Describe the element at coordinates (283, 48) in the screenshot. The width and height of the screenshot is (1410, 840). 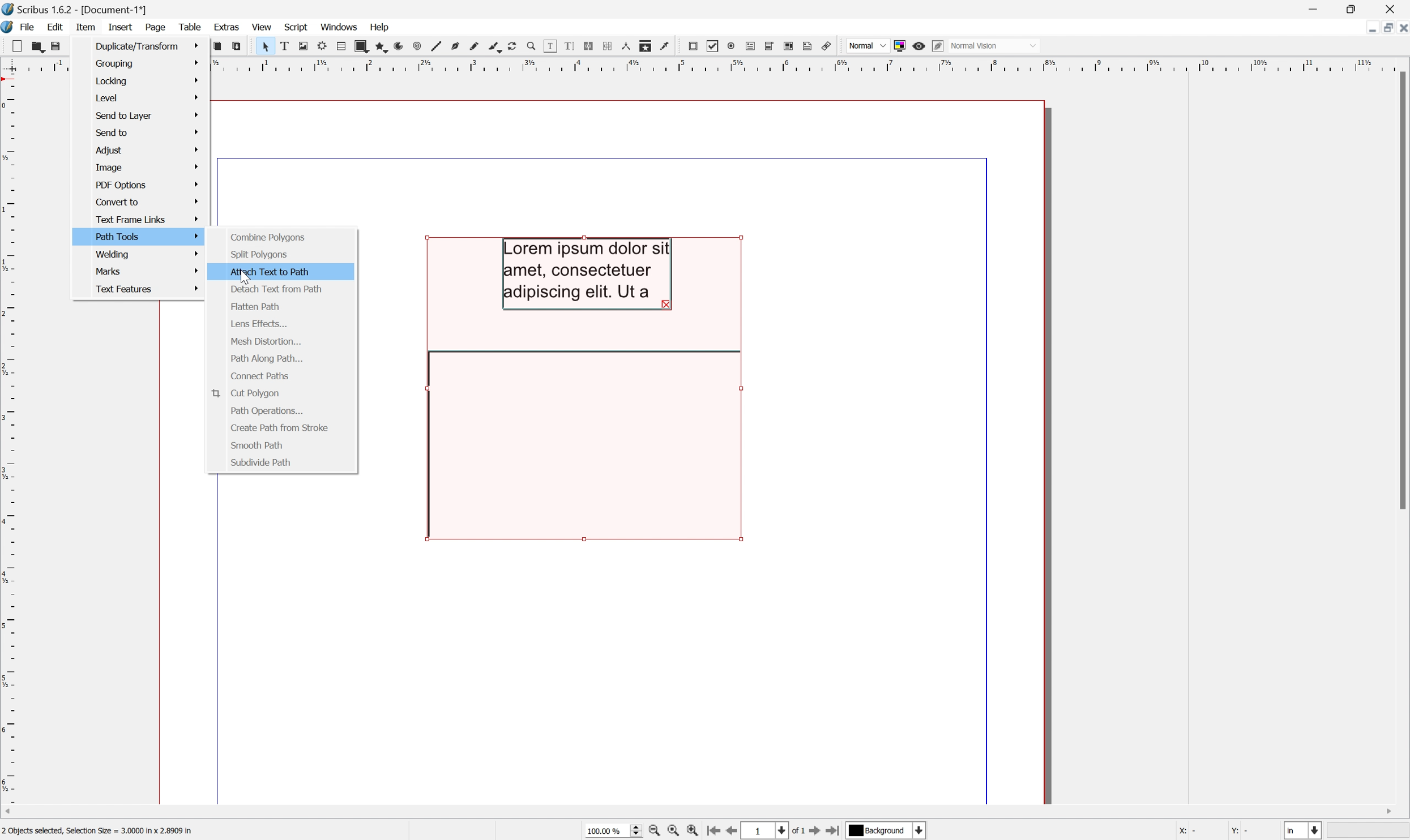
I see `Text frame` at that location.